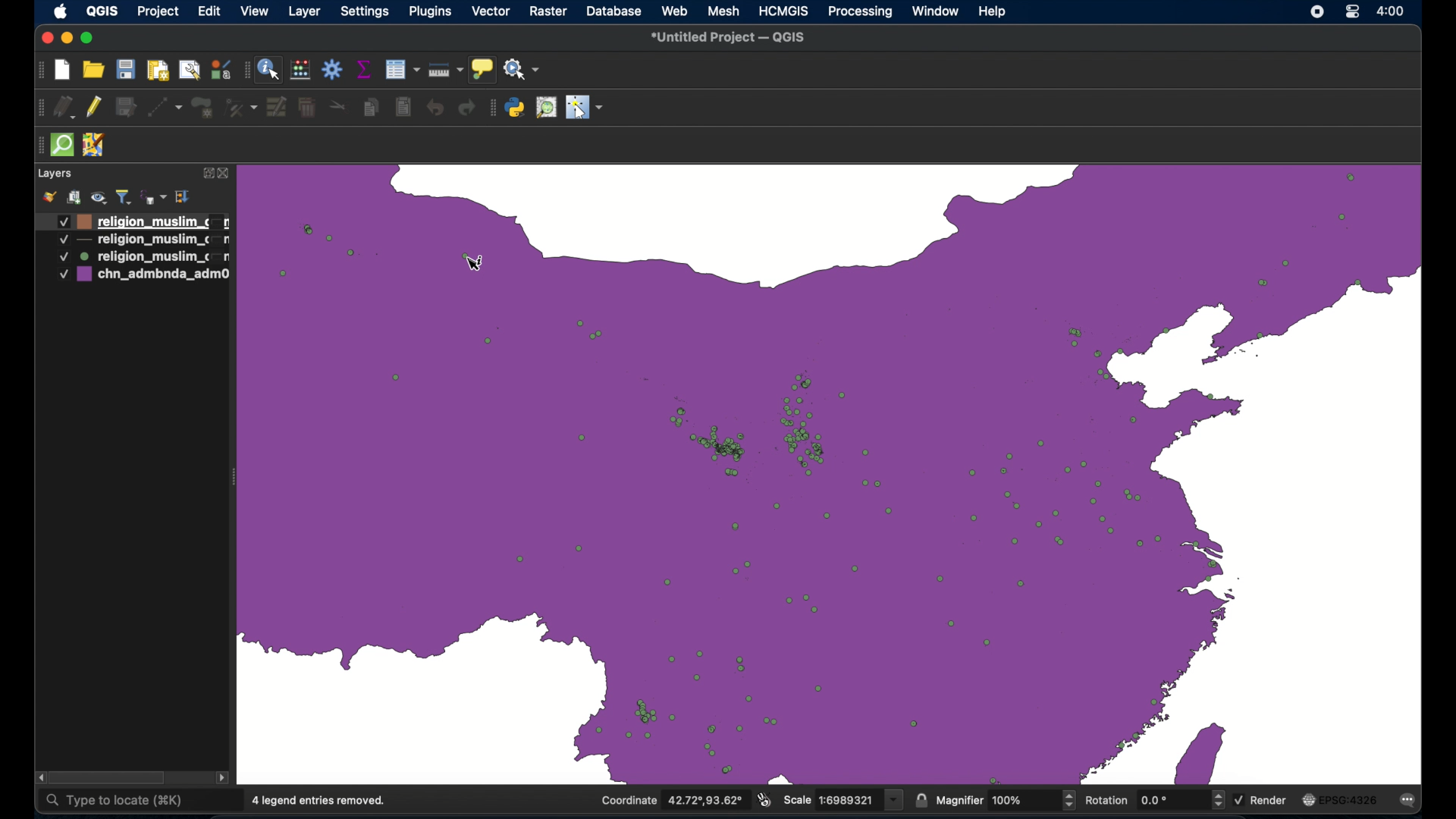  What do you see at coordinates (765, 799) in the screenshot?
I see `toggle extents and mouse display position` at bounding box center [765, 799].